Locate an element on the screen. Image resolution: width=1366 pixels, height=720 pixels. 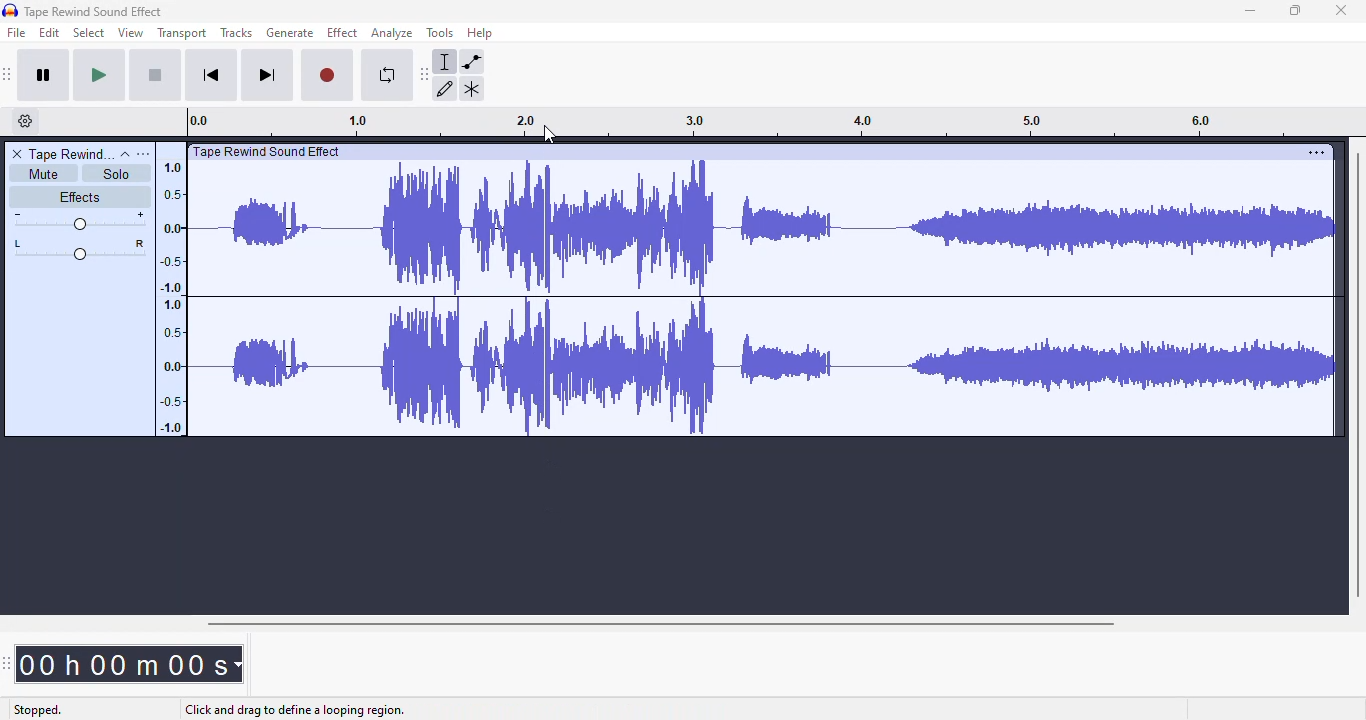
collapse is located at coordinates (125, 154).